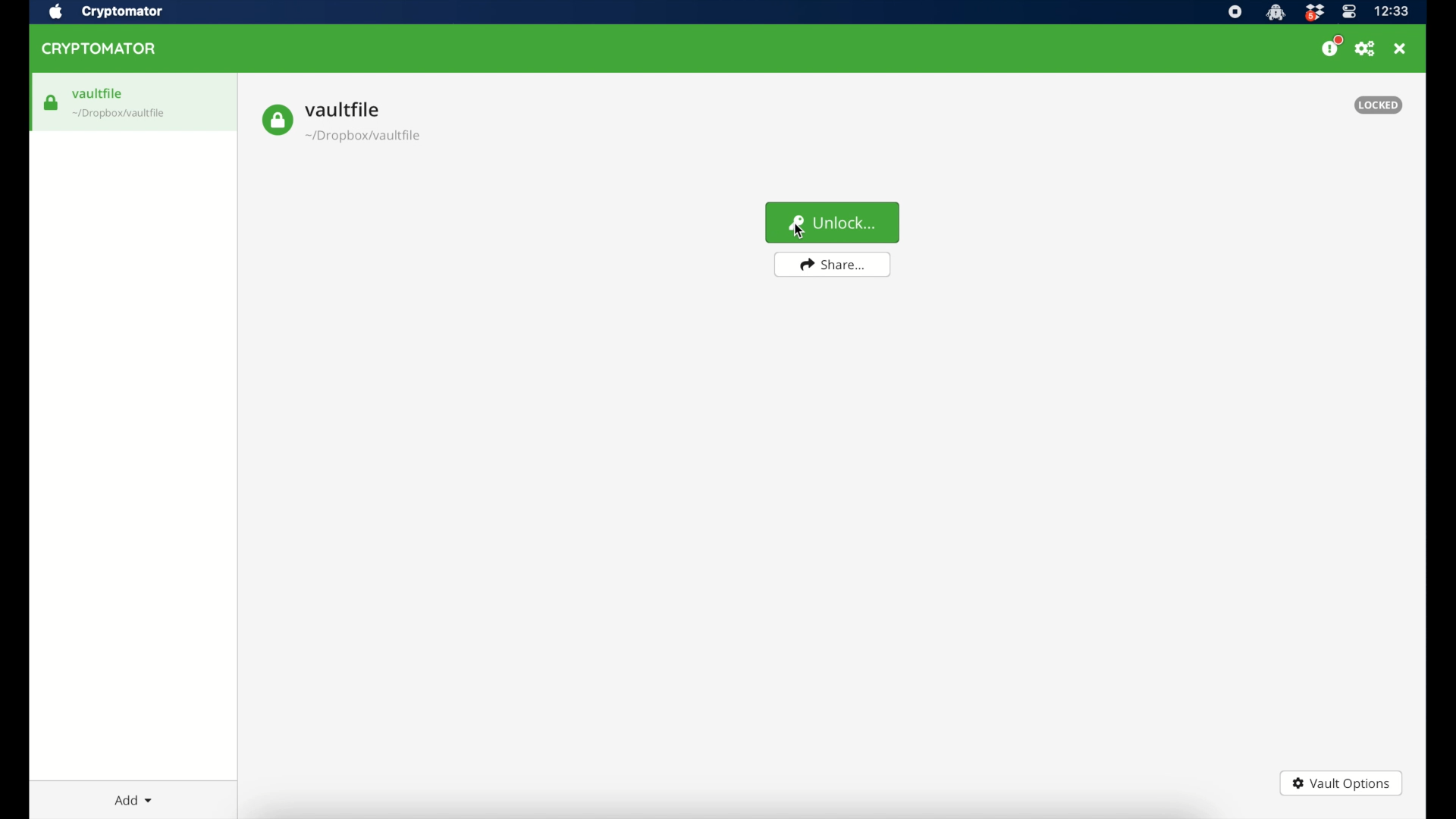  I want to click on locked, so click(1379, 105).